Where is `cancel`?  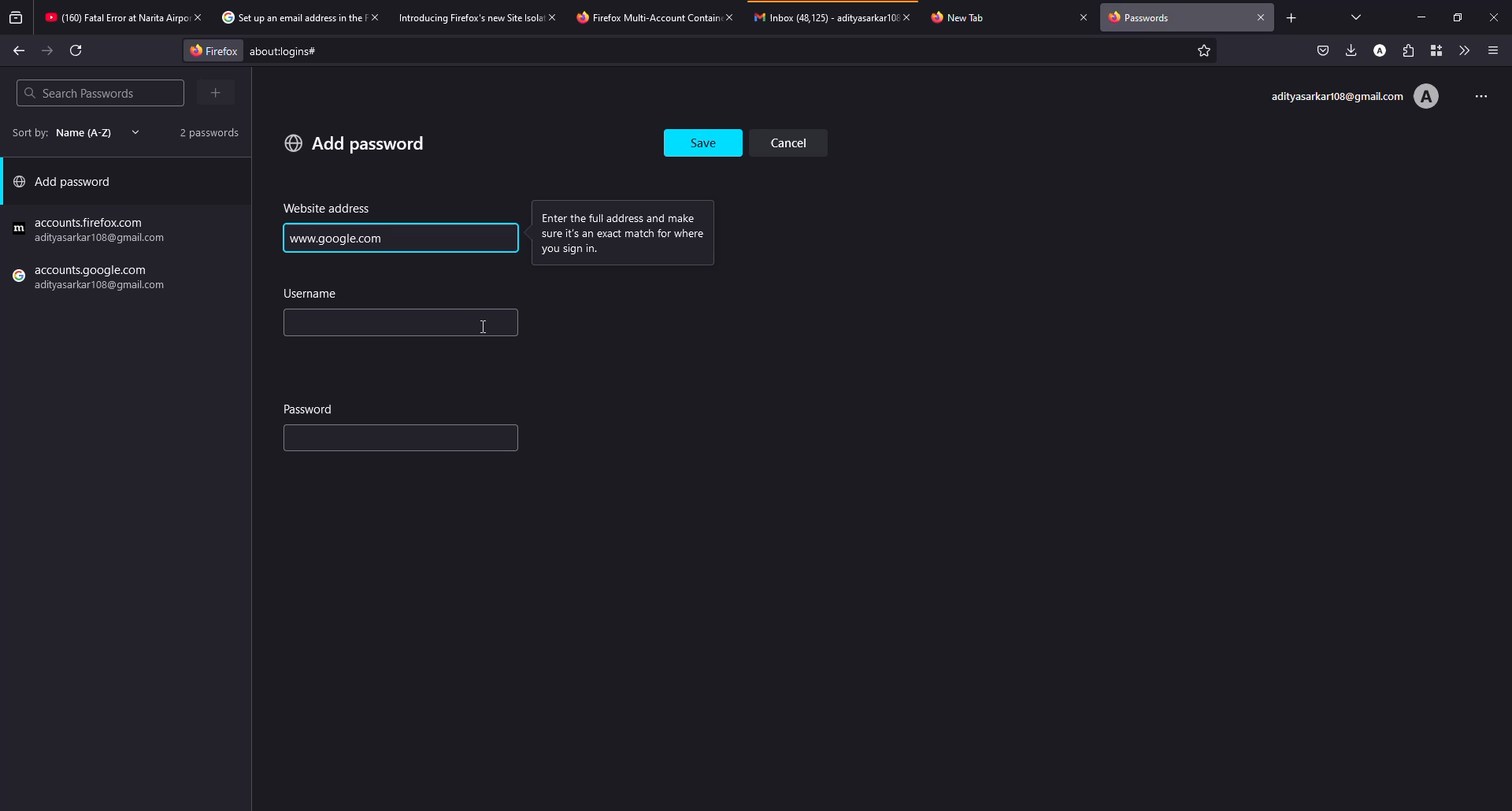 cancel is located at coordinates (795, 142).